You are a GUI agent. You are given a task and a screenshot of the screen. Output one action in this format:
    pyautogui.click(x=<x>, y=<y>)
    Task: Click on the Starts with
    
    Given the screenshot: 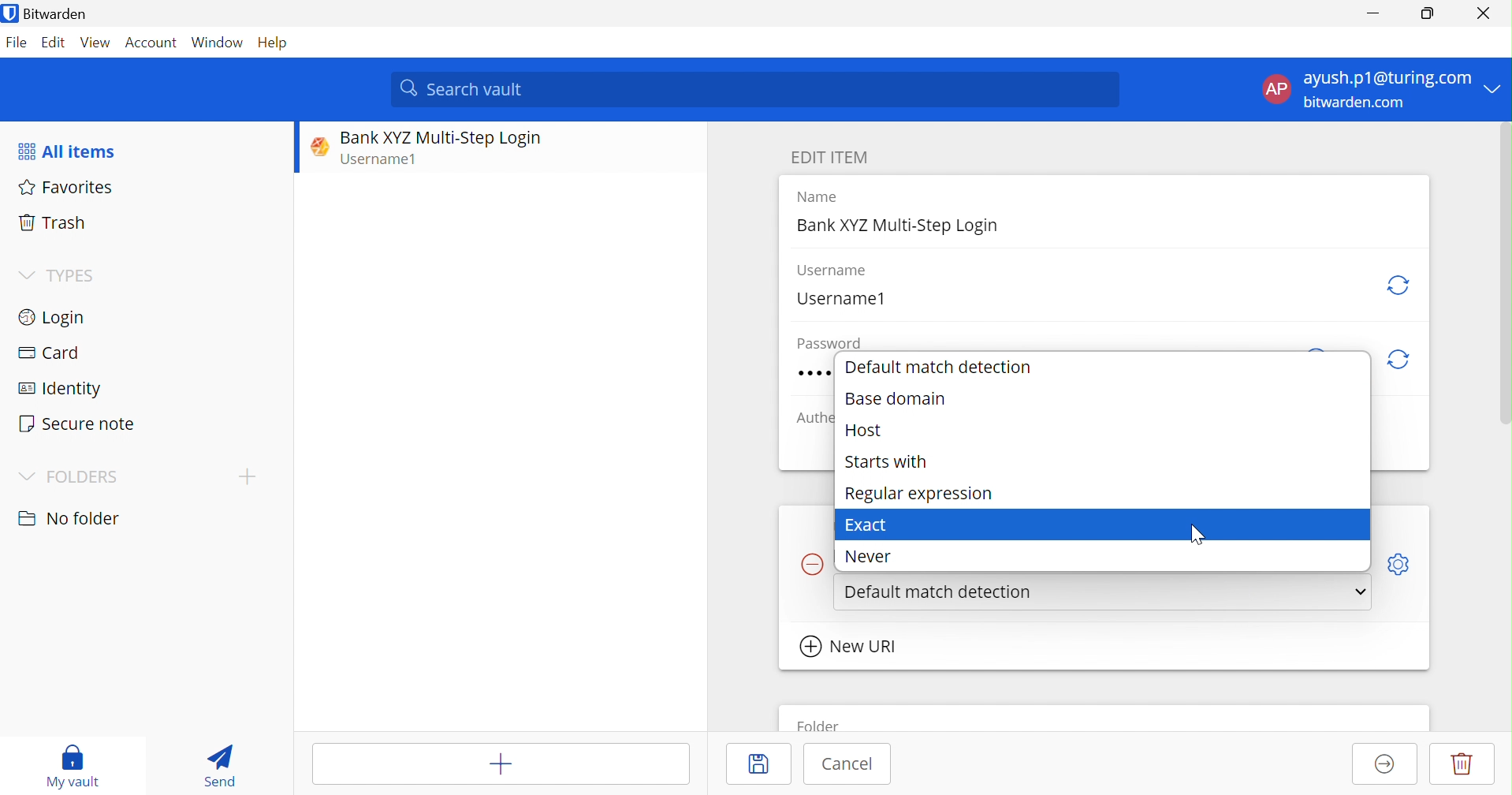 What is the action you would take?
    pyautogui.click(x=884, y=464)
    